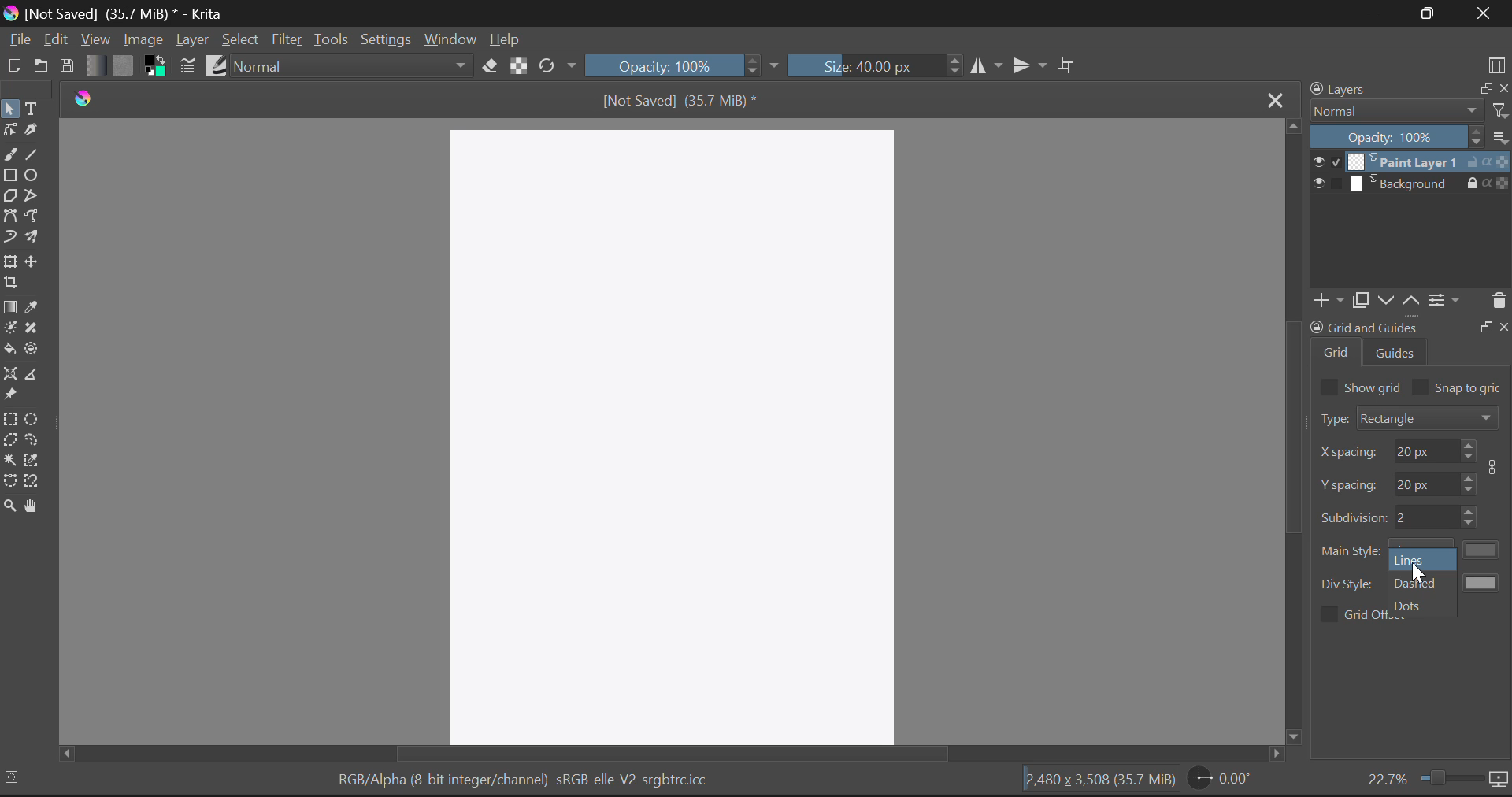 The width and height of the screenshot is (1512, 797). Describe the element at coordinates (217, 65) in the screenshot. I see `Brush Presets` at that location.